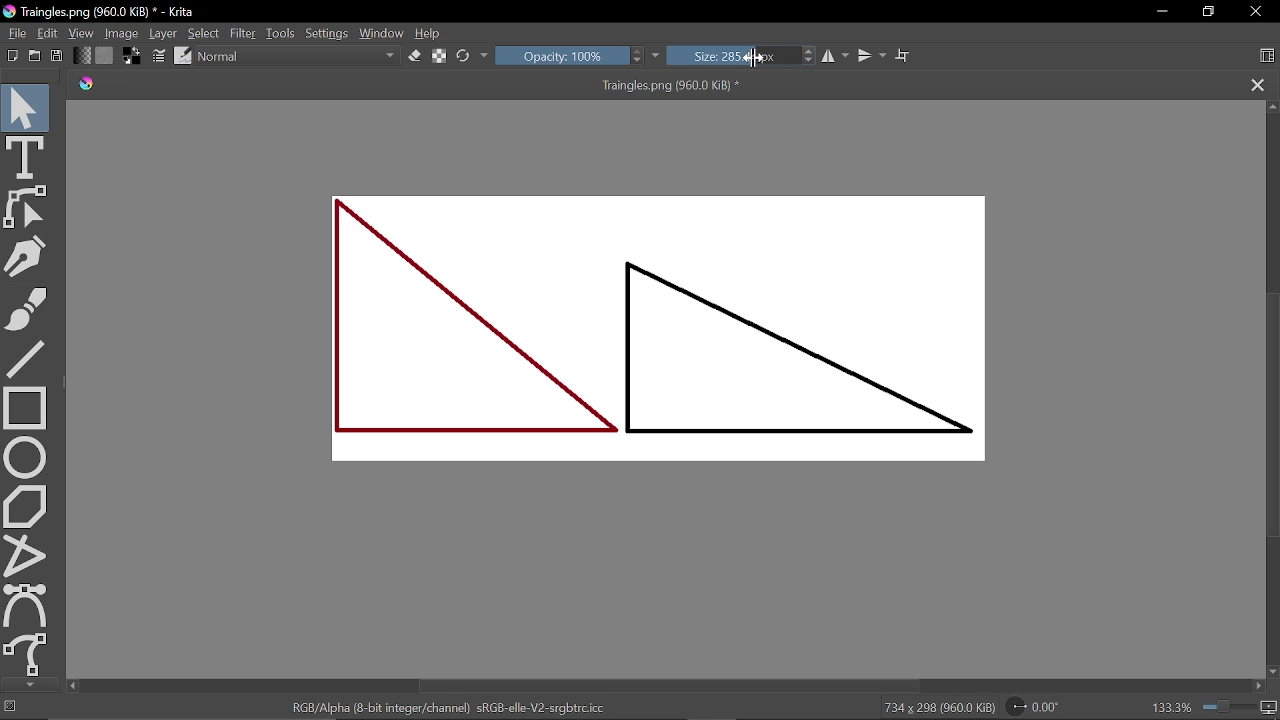 The width and height of the screenshot is (1280, 720). What do you see at coordinates (35, 311) in the screenshot?
I see `Freehand brush tool` at bounding box center [35, 311].